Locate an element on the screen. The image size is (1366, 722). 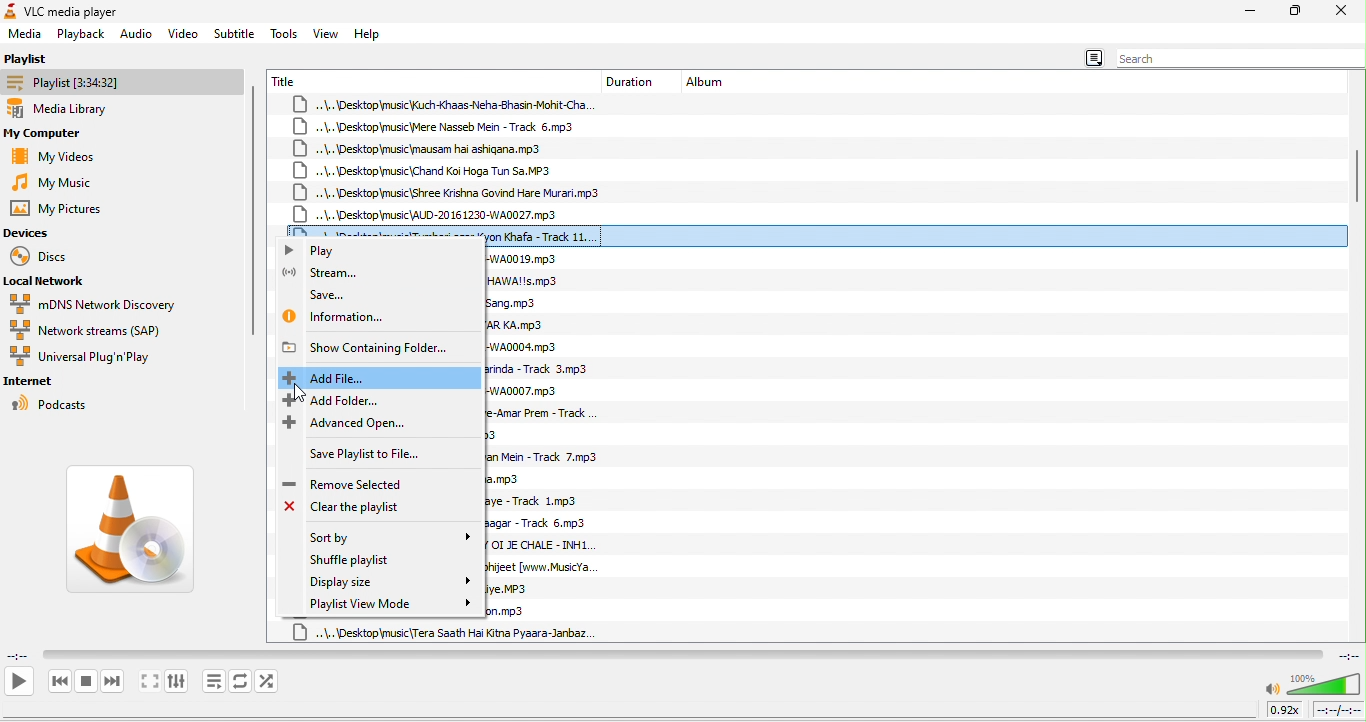
vertical scroll bar is located at coordinates (253, 209).